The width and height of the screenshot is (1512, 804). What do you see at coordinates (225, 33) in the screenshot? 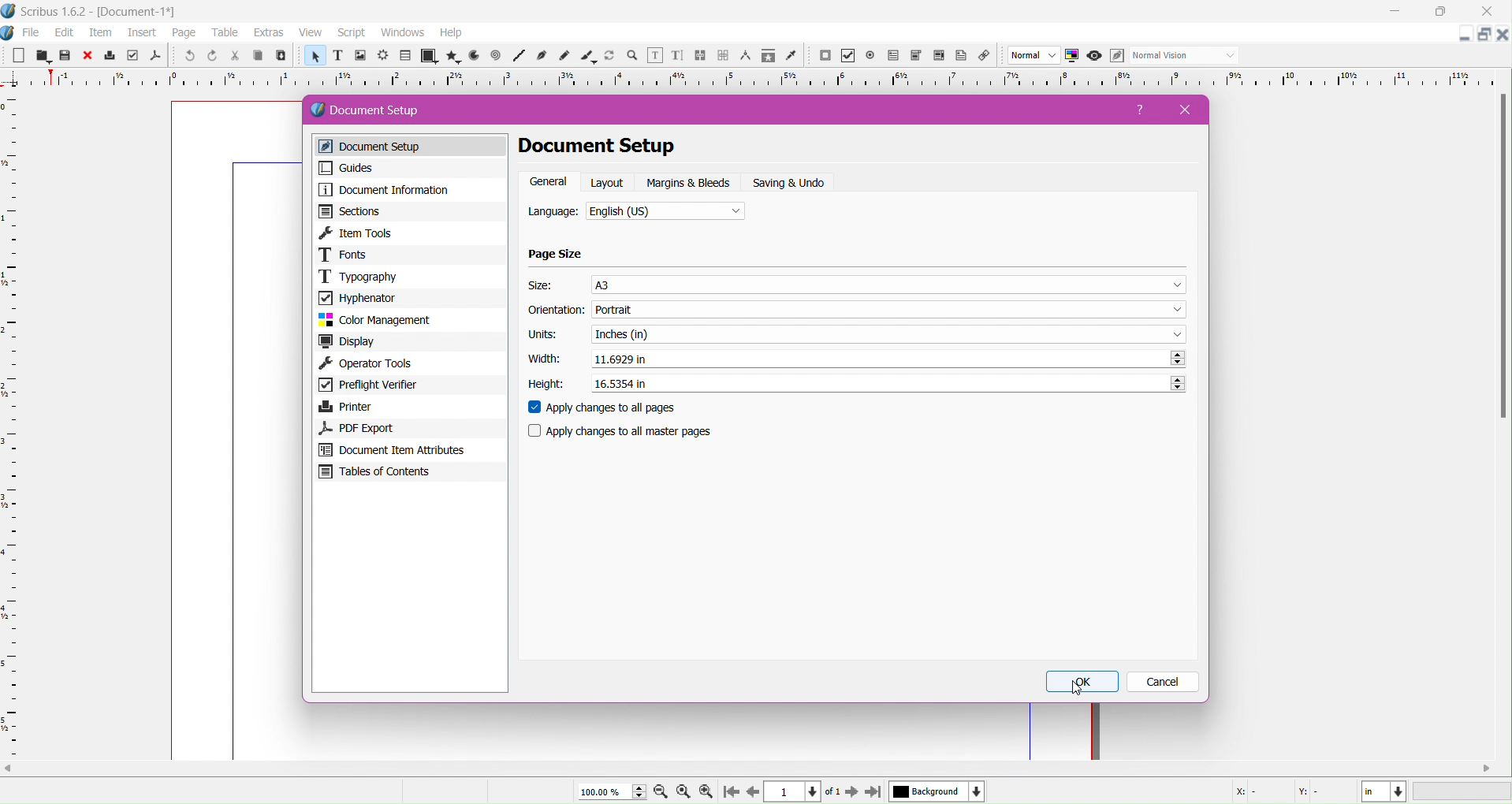
I see `table menu` at bounding box center [225, 33].